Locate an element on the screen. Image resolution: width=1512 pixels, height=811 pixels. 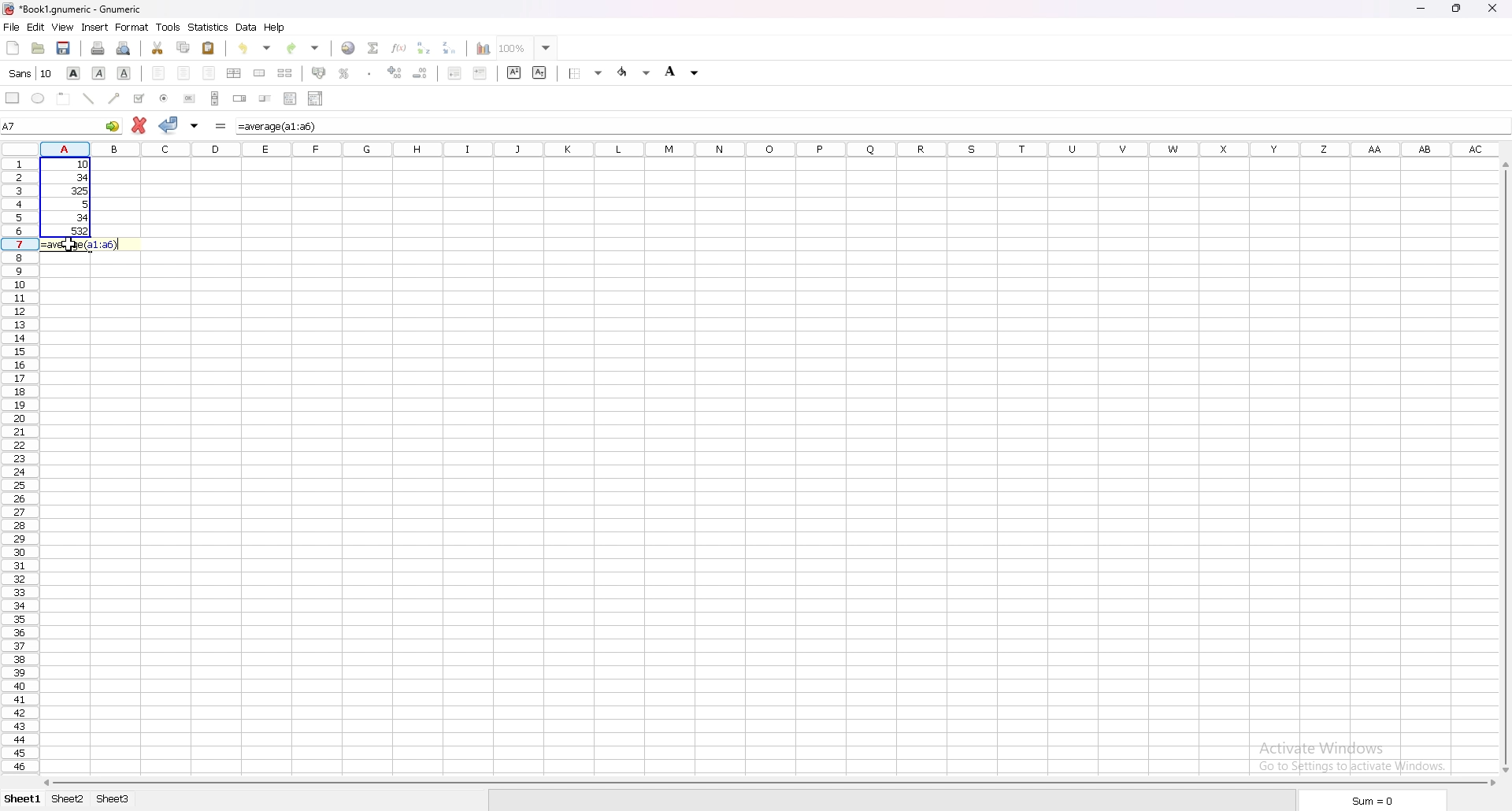
ellipse is located at coordinates (38, 97).